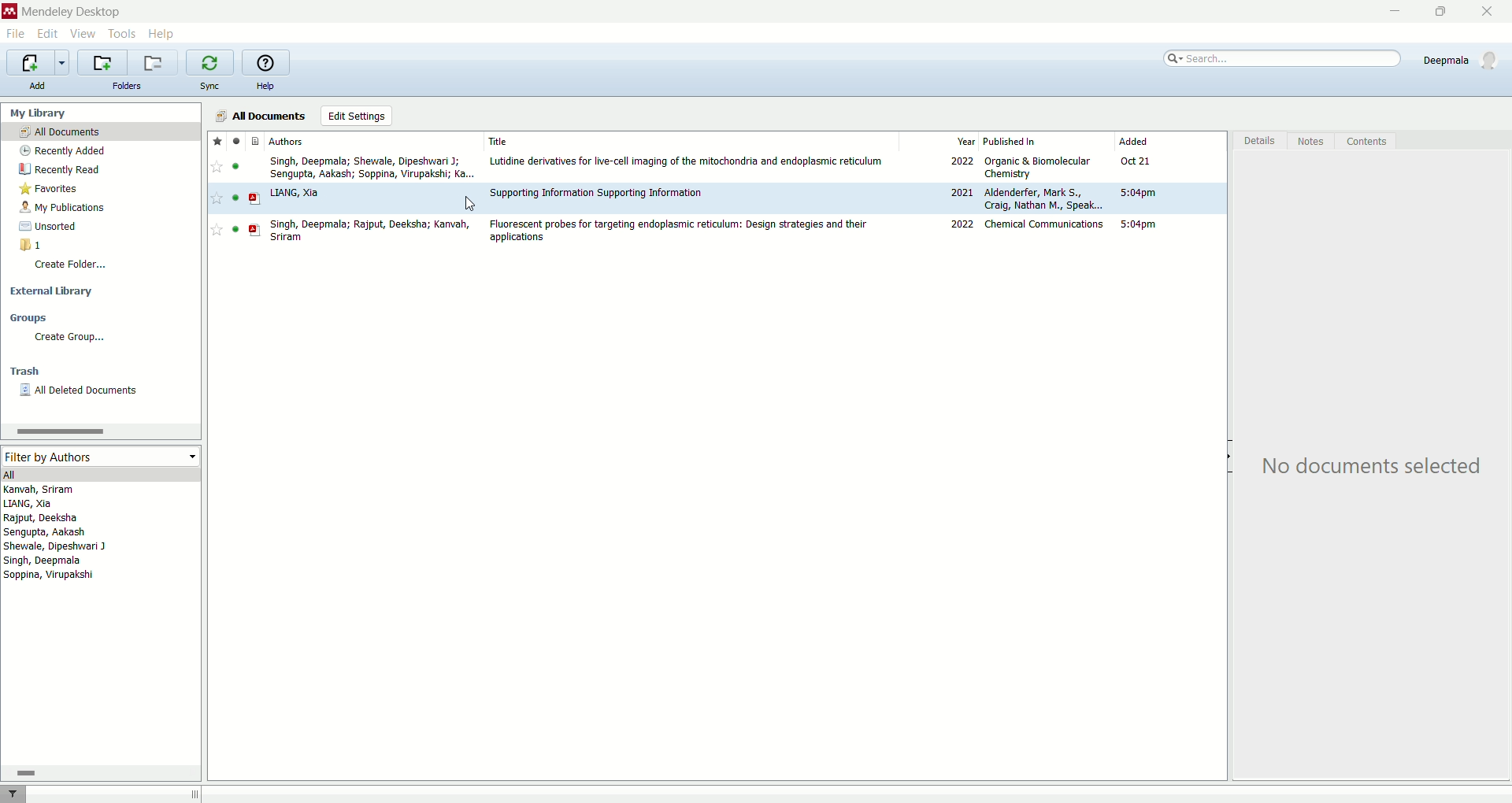  I want to click on groups, so click(31, 317).